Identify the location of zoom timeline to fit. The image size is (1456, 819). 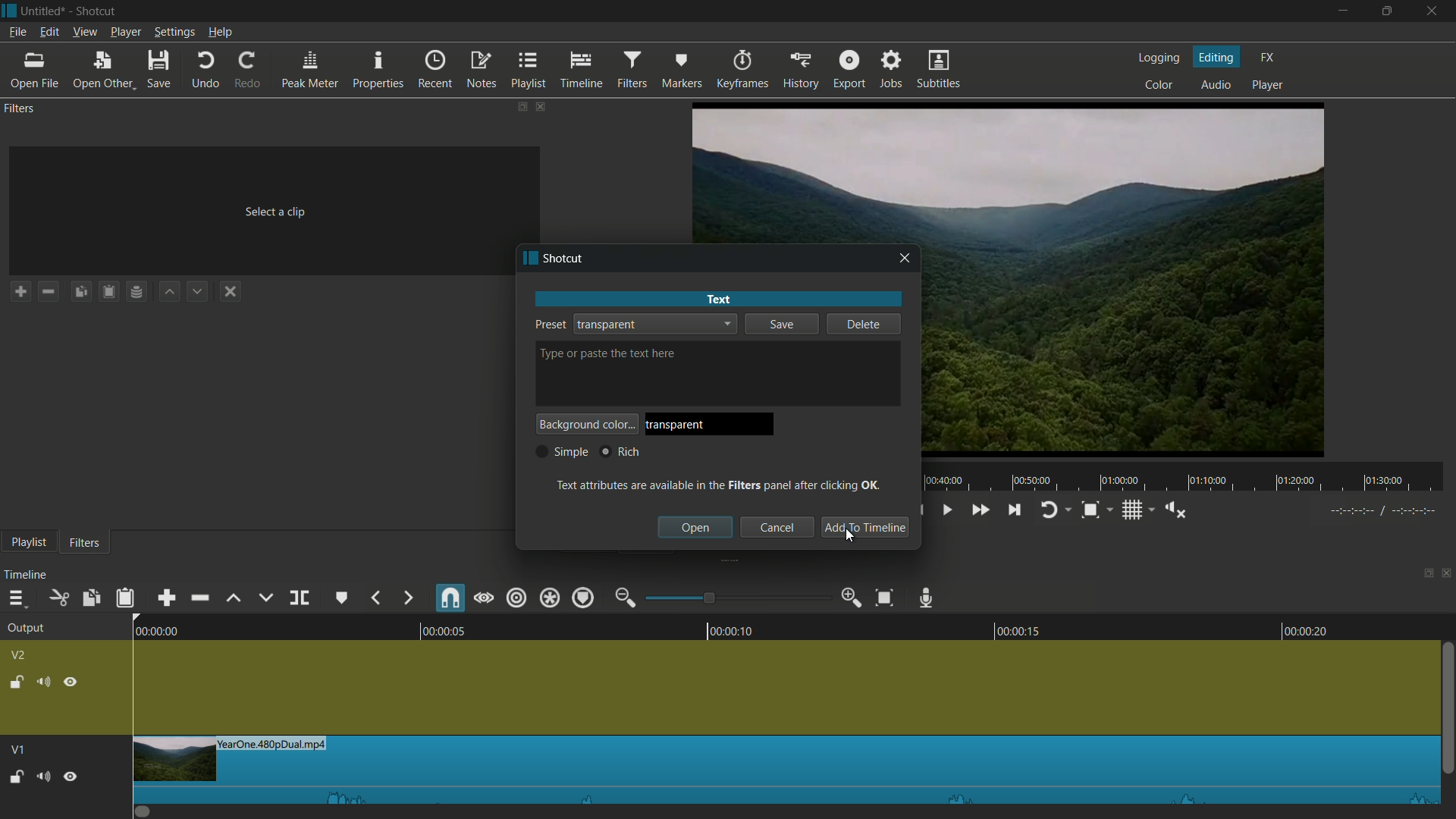
(884, 598).